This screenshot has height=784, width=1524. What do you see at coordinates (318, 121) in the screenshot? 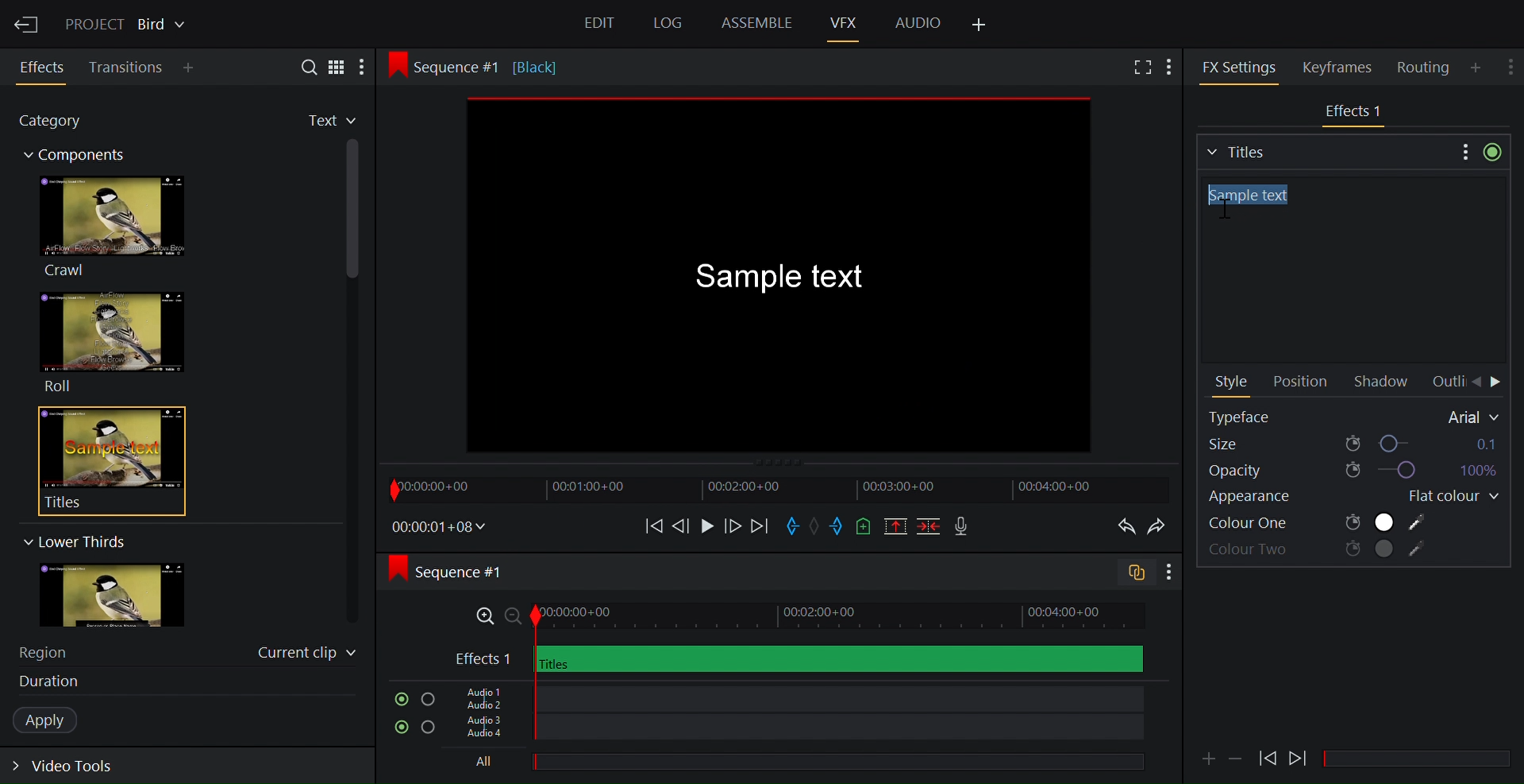
I see `Favorites` at bounding box center [318, 121].